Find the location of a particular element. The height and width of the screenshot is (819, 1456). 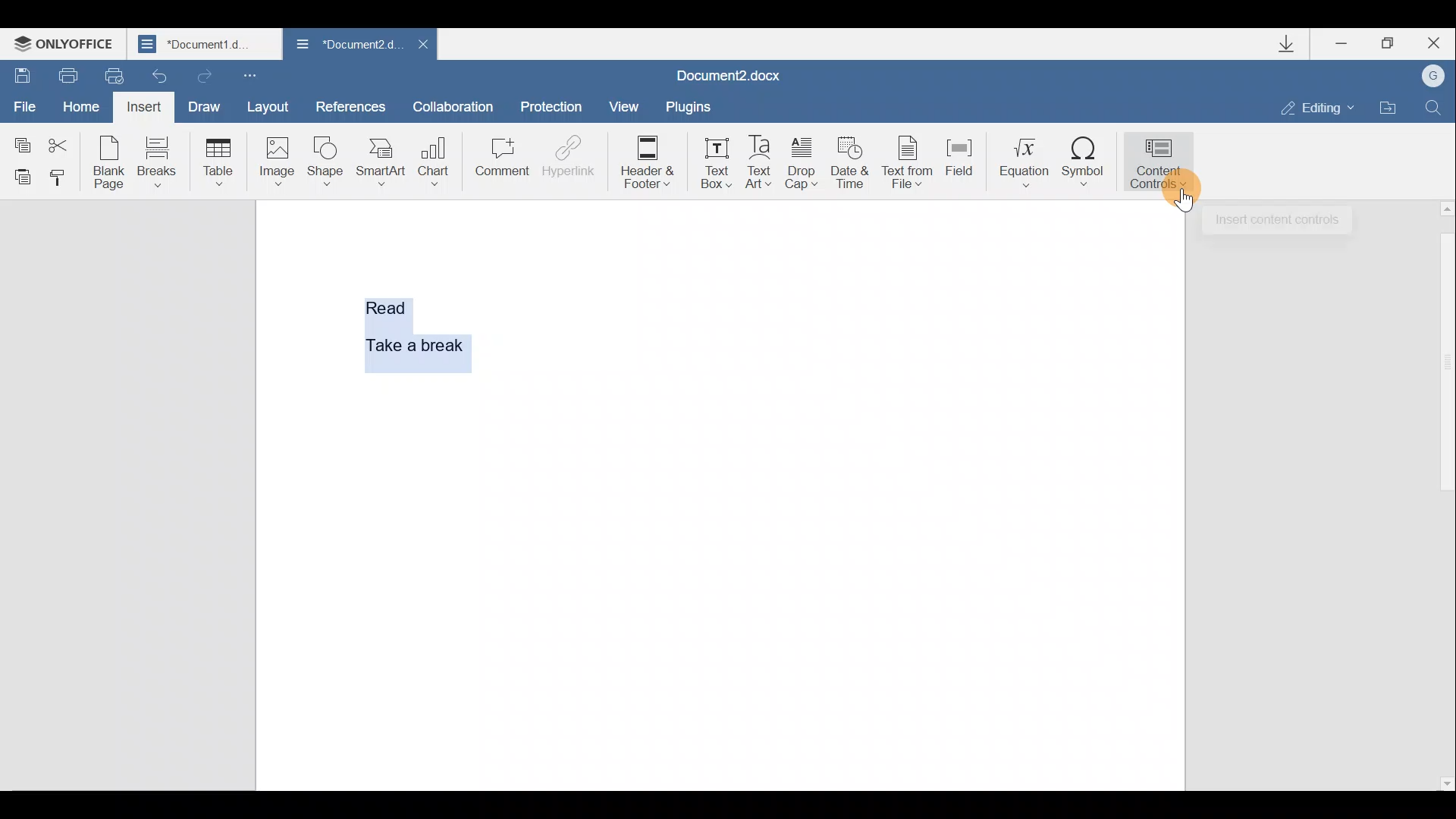

Scroll bar is located at coordinates (1443, 494).